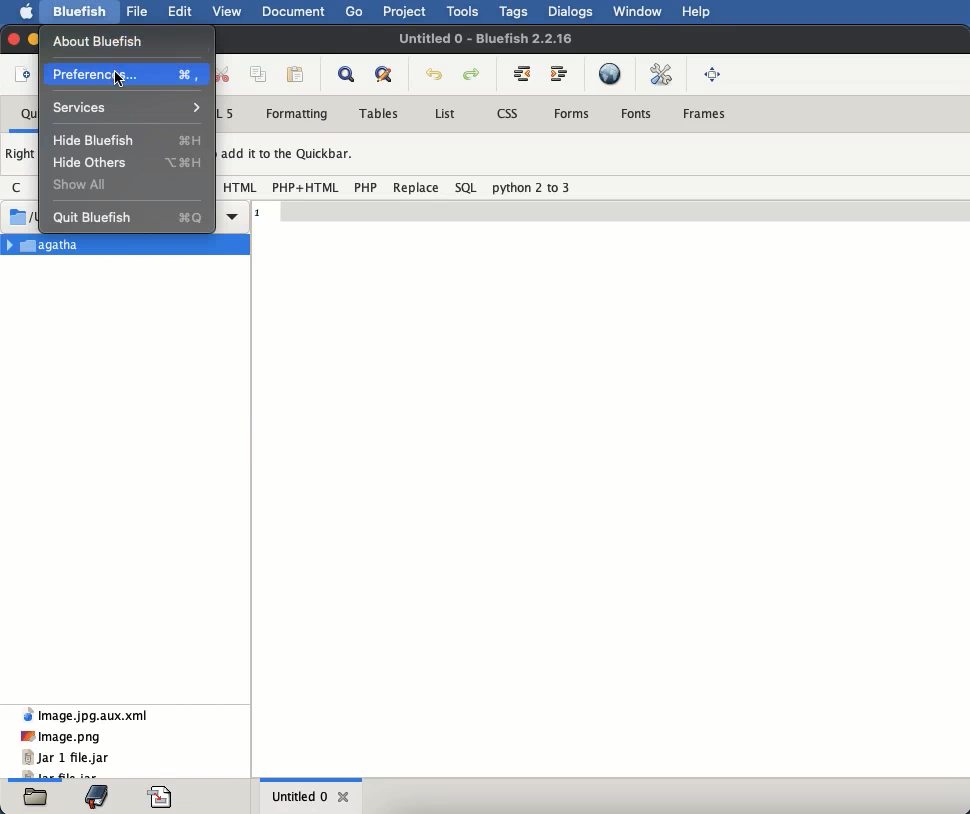  What do you see at coordinates (85, 713) in the screenshot?
I see `xml` at bounding box center [85, 713].